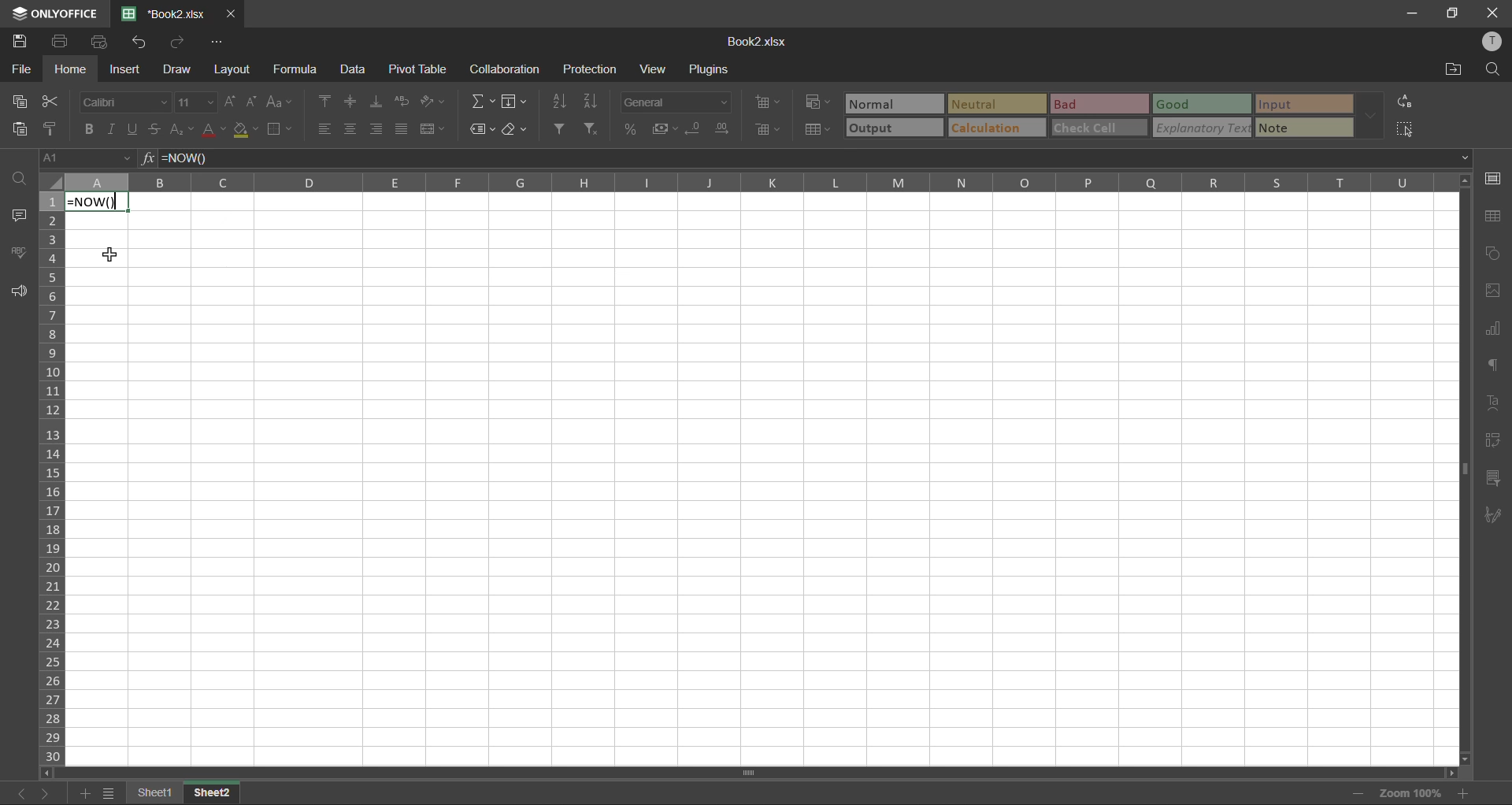  What do you see at coordinates (235, 69) in the screenshot?
I see `layout` at bounding box center [235, 69].